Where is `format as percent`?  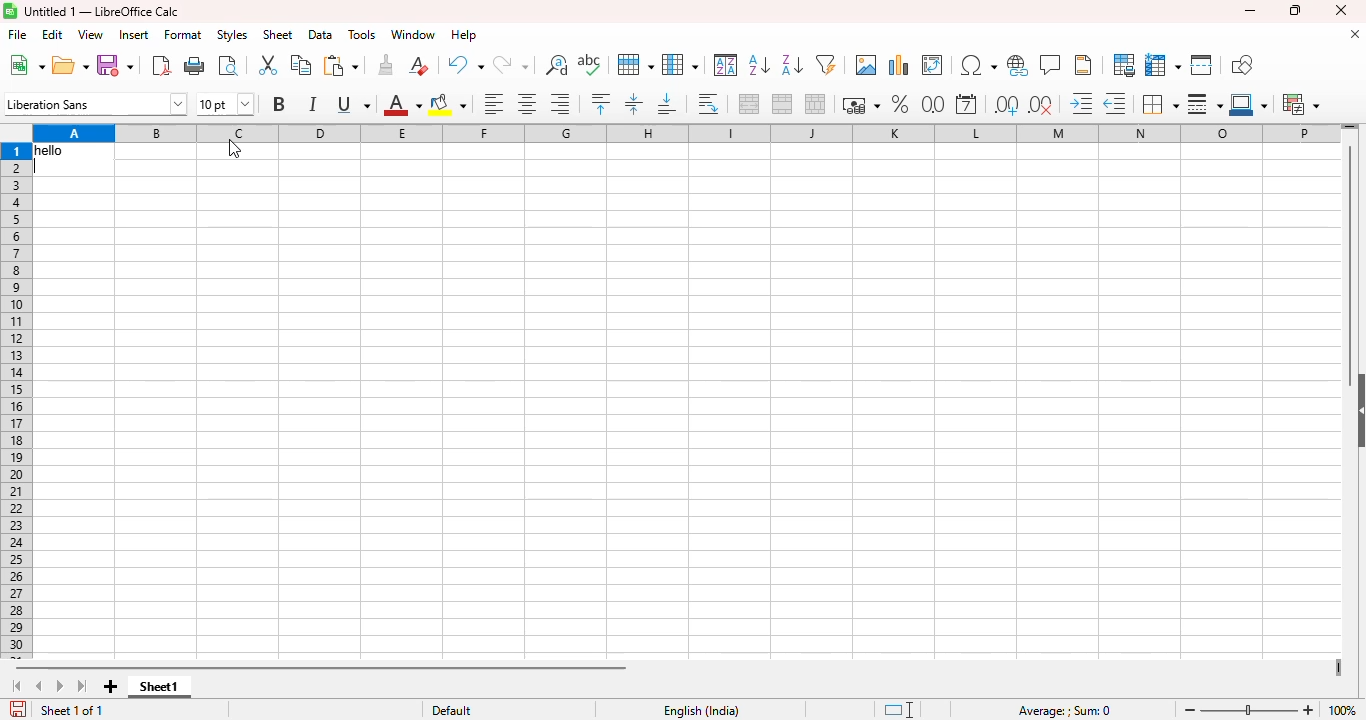 format as percent is located at coordinates (899, 104).